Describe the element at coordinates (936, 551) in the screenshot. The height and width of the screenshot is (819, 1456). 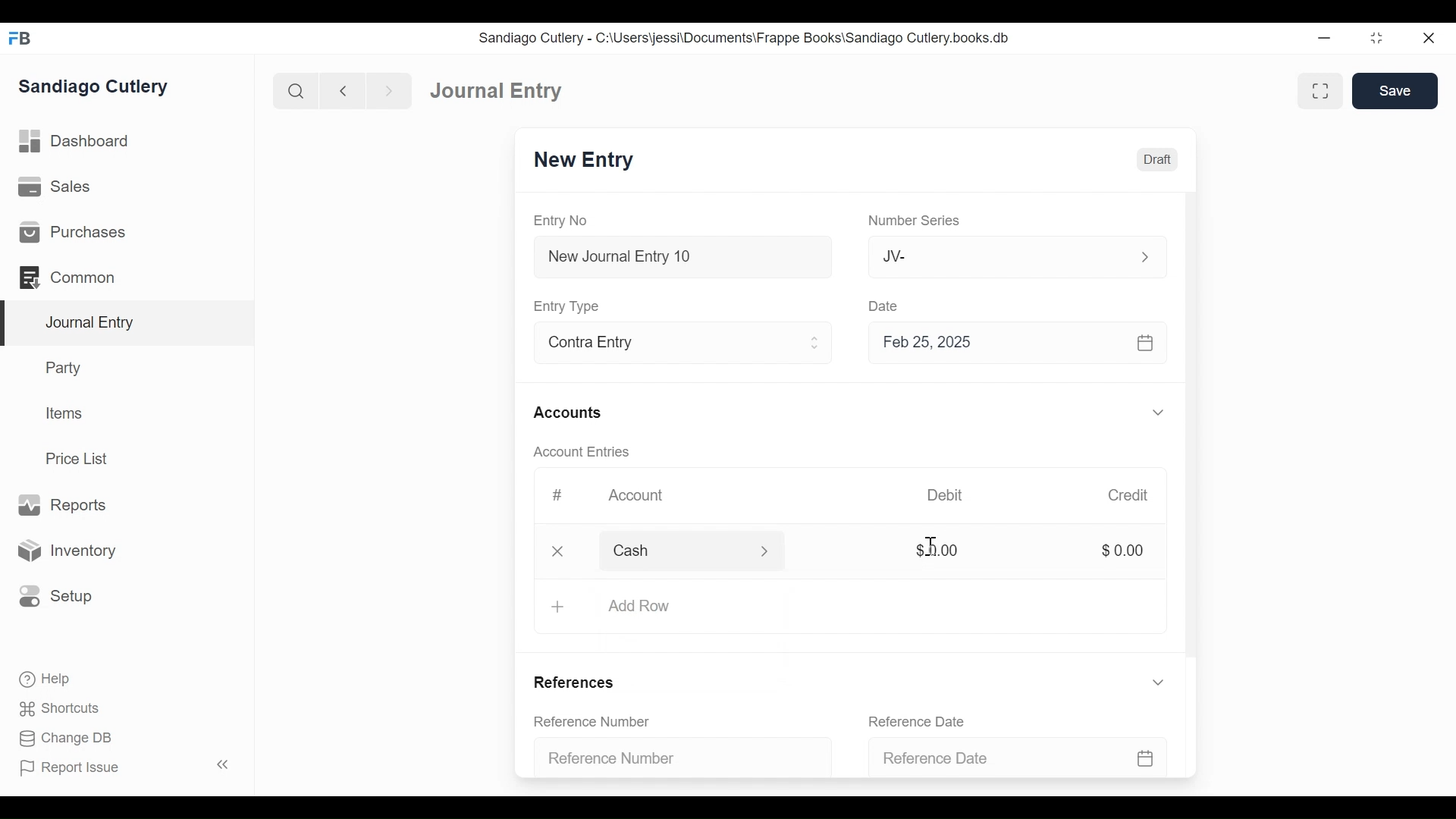
I see `$0.00` at that location.